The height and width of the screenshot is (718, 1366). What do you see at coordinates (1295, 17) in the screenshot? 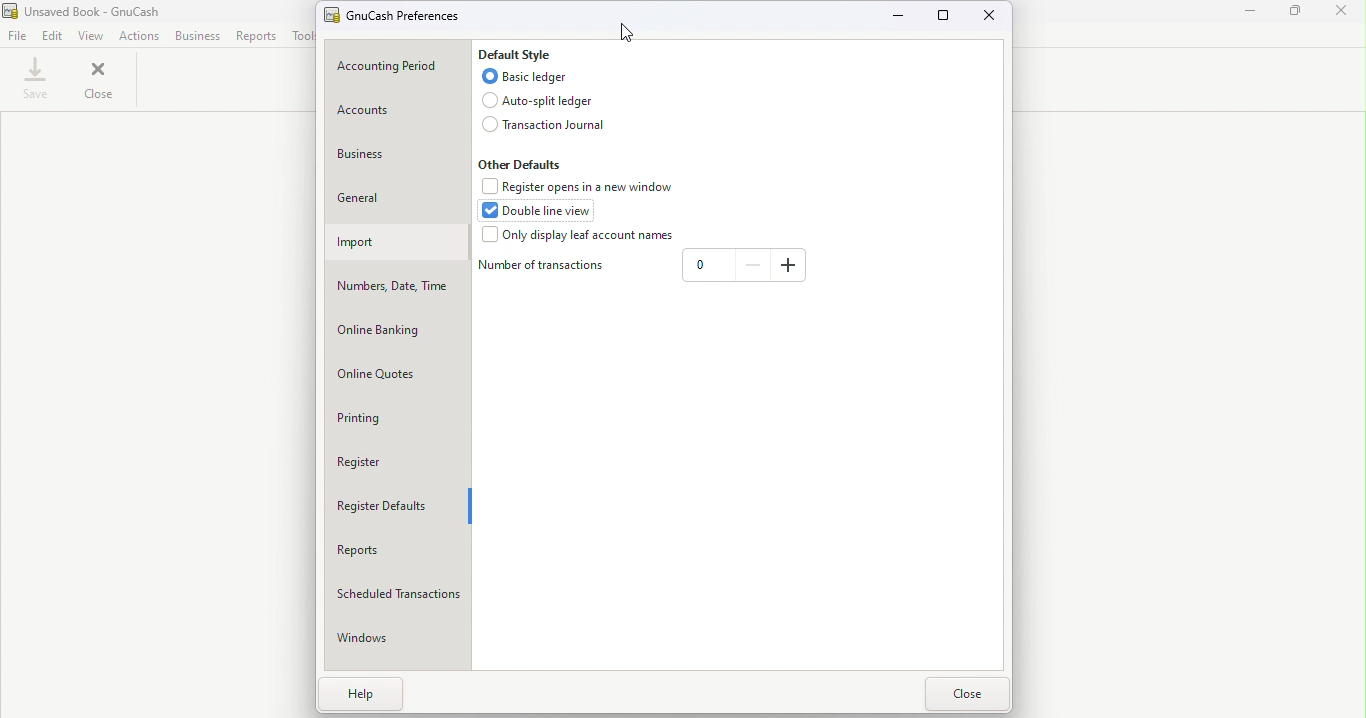
I see `Maximize` at bounding box center [1295, 17].